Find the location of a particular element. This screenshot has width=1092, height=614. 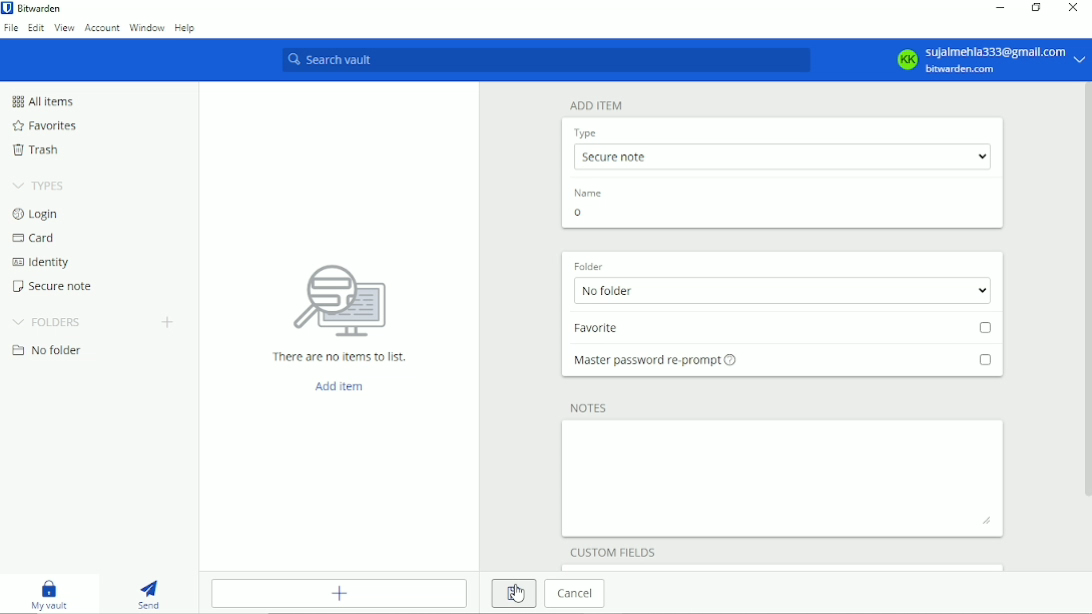

Add item is located at coordinates (337, 385).